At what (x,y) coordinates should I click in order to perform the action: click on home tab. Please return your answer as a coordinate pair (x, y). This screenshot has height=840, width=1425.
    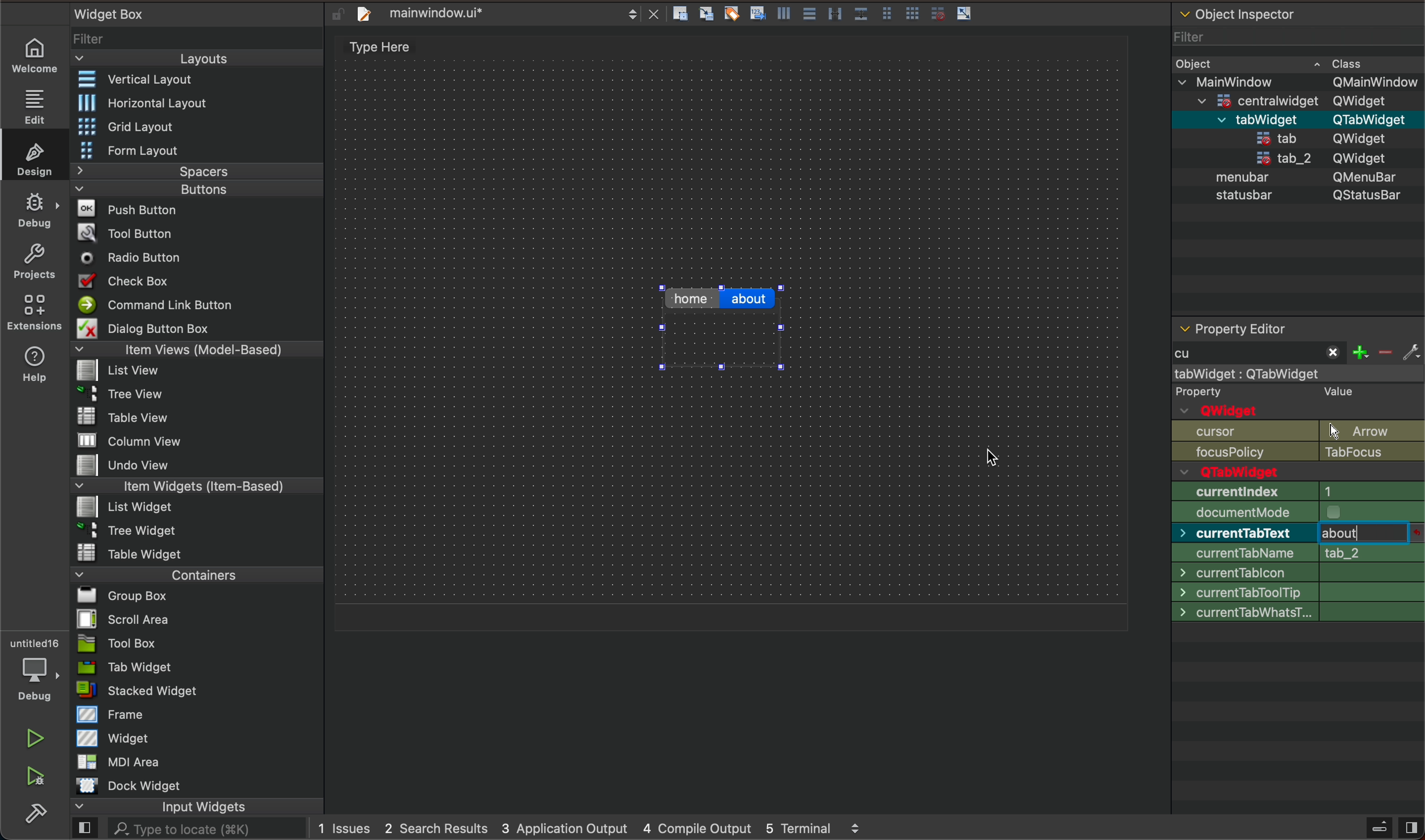
    Looking at the image, I should click on (693, 301).